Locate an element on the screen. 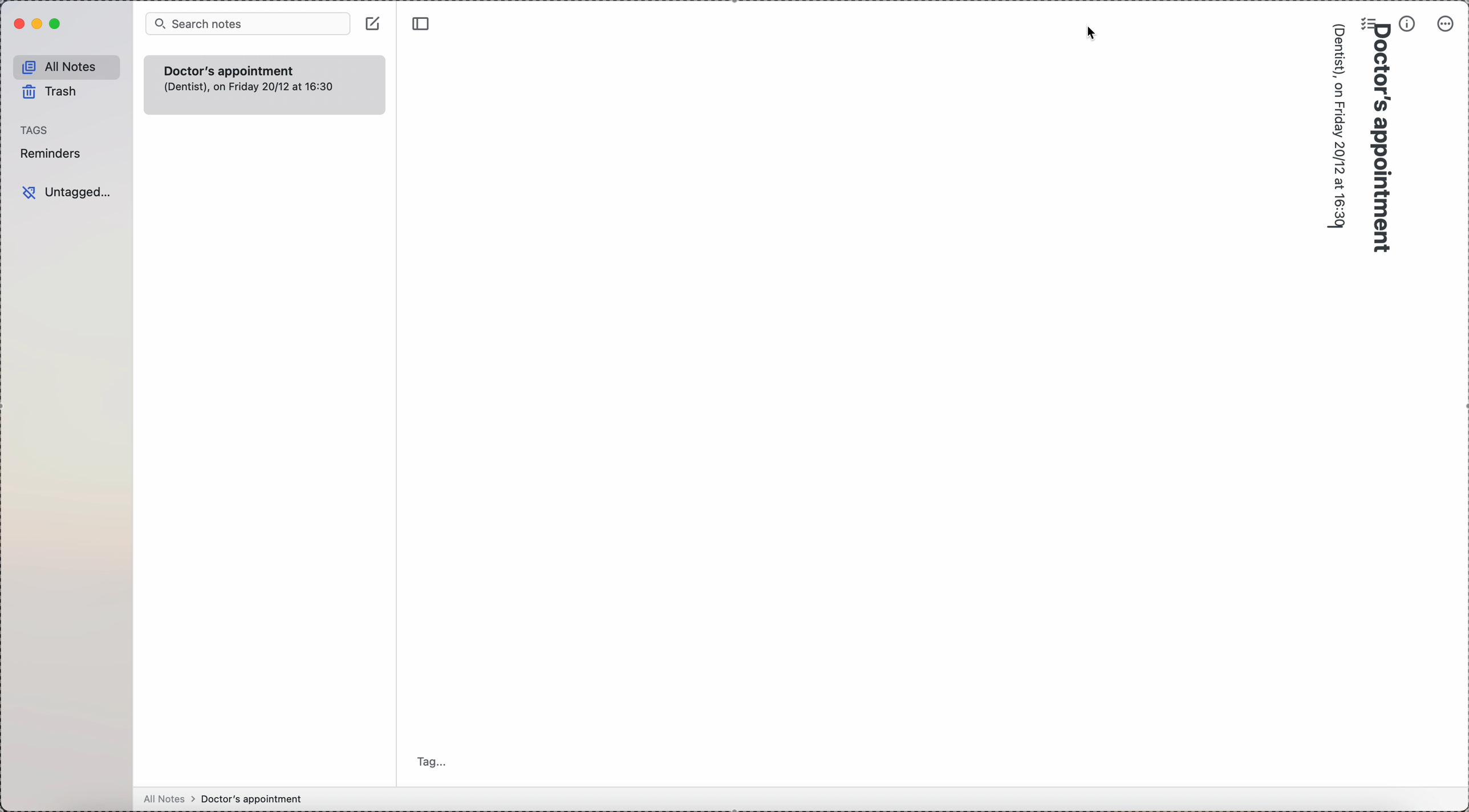  tags is located at coordinates (33, 130).